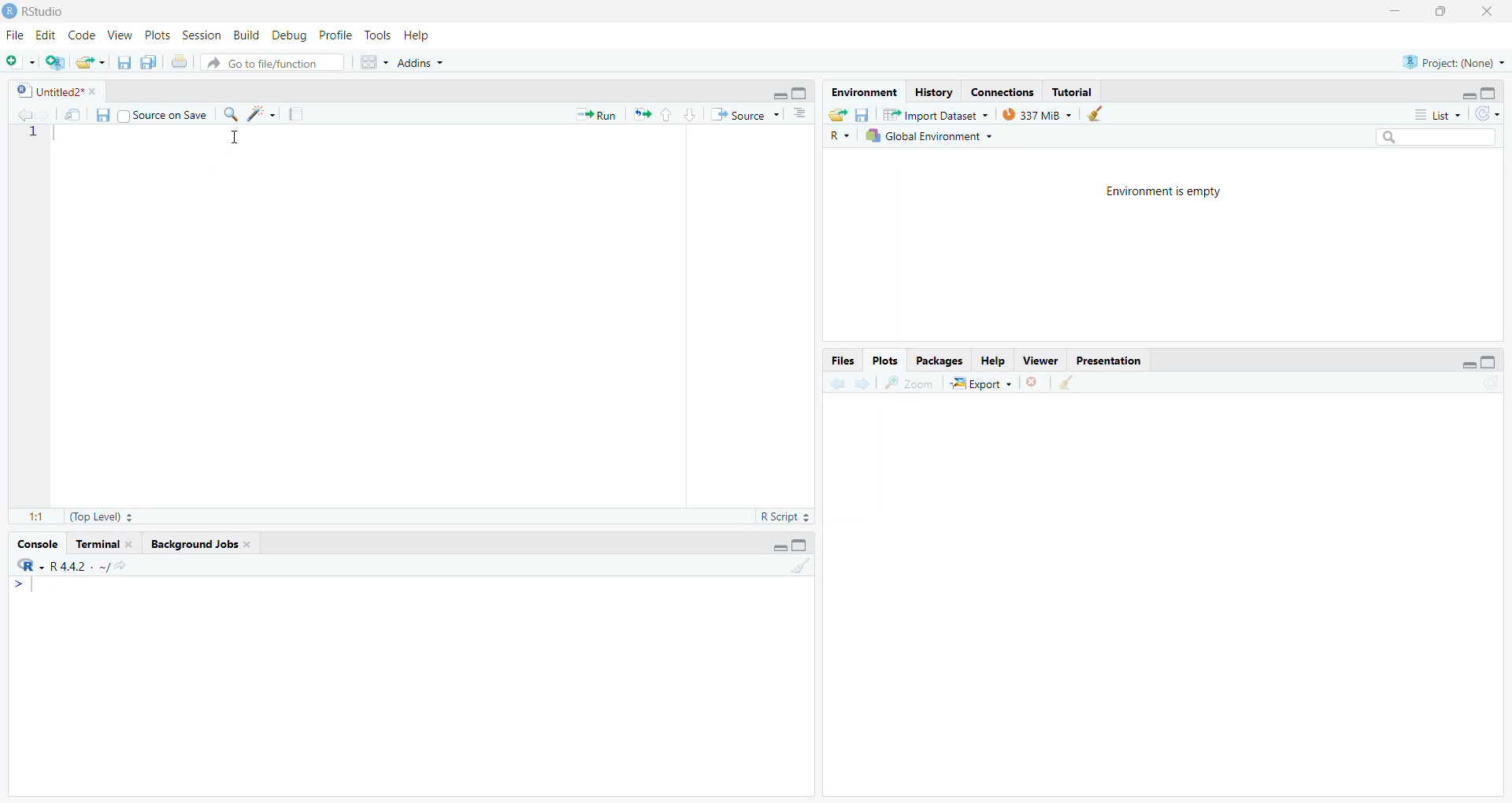 The width and height of the screenshot is (1512, 803). Describe the element at coordinates (72, 114) in the screenshot. I see `show in new window` at that location.